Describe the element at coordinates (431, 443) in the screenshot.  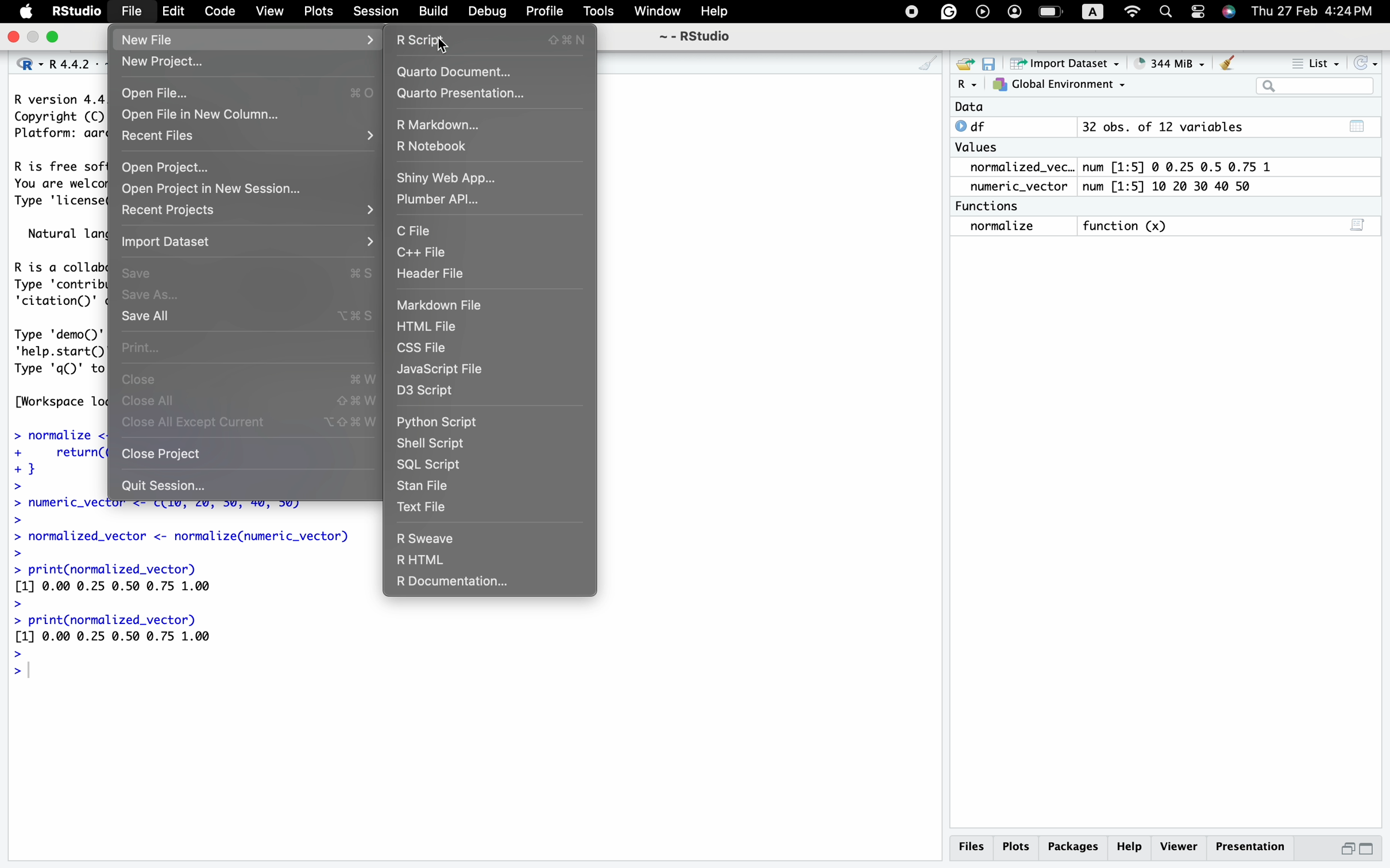
I see `Shell Script` at that location.